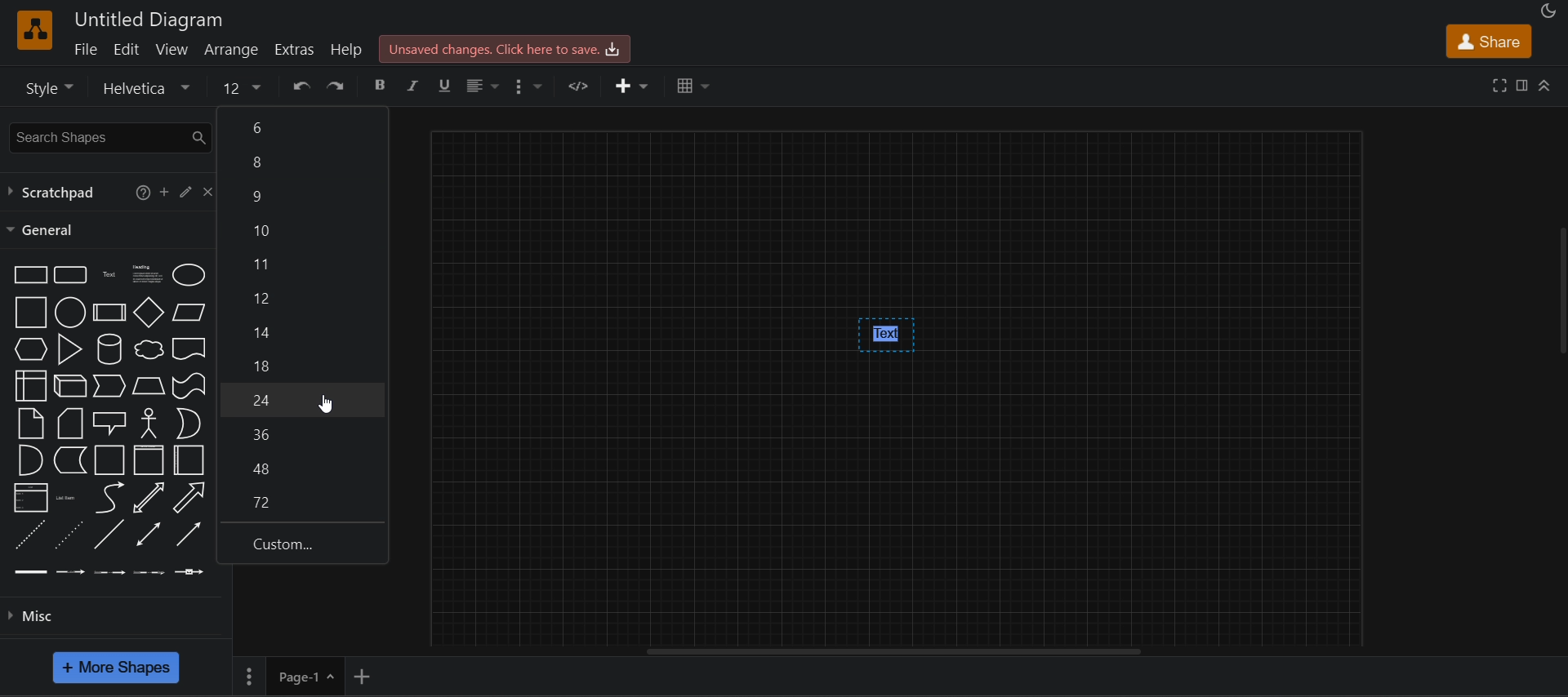 The height and width of the screenshot is (697, 1568). Describe the element at coordinates (35, 30) in the screenshot. I see `Software logo` at that location.